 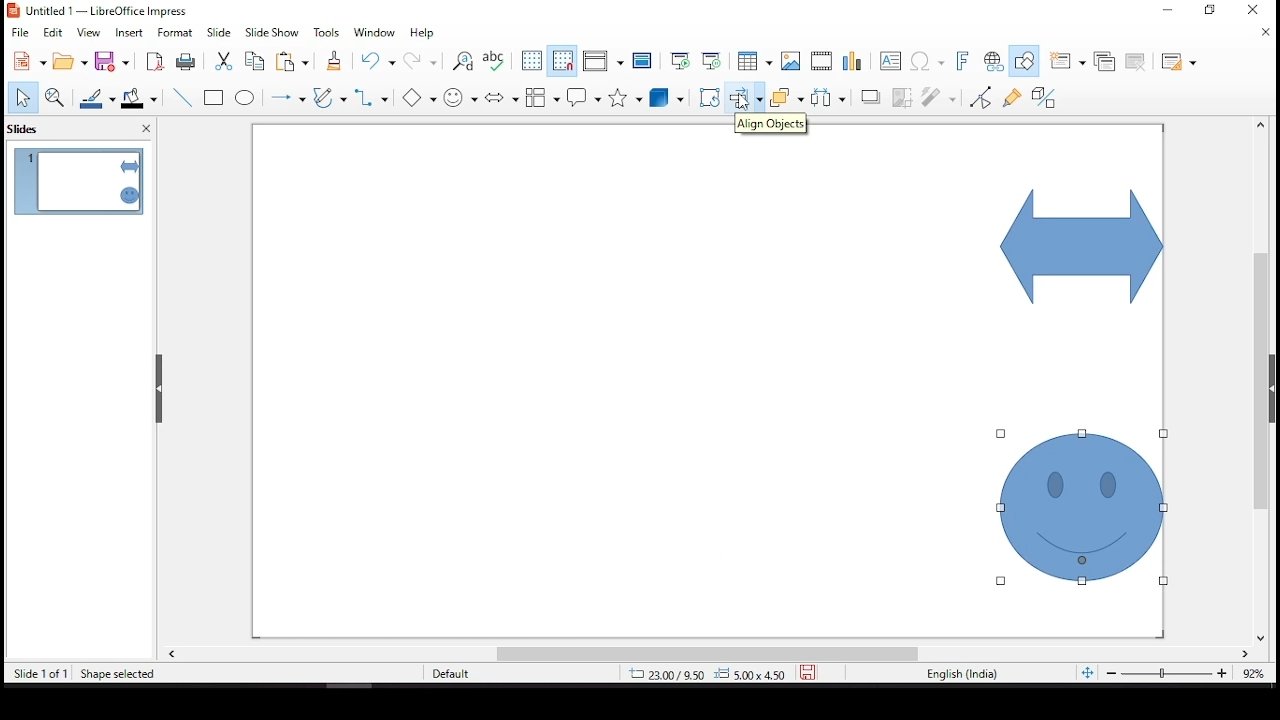 What do you see at coordinates (98, 10) in the screenshot?
I see `|B Untitled 1 — LibreOffice Impress` at bounding box center [98, 10].